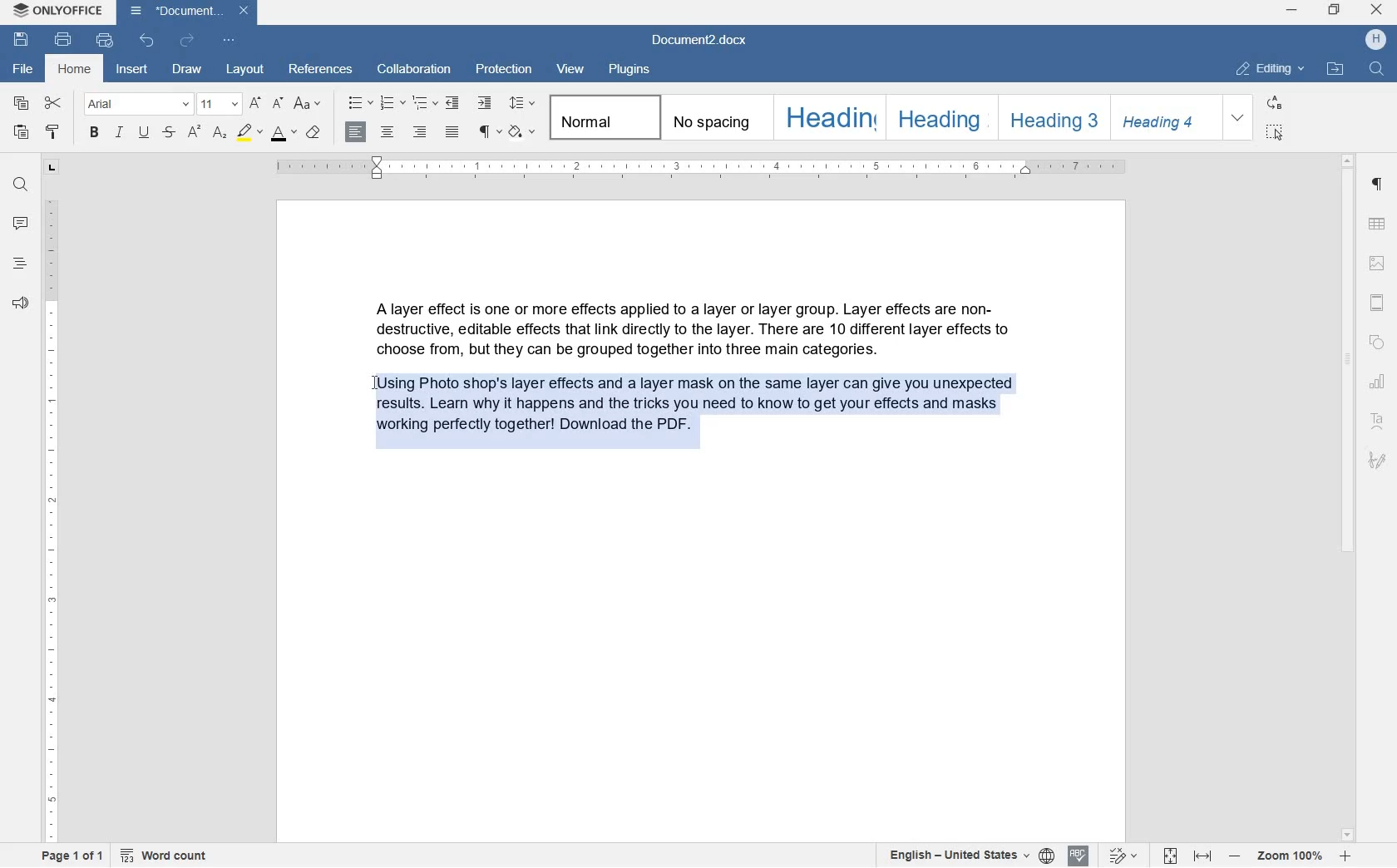 Image resolution: width=1397 pixels, height=868 pixels. What do you see at coordinates (523, 102) in the screenshot?
I see `PARAGRAPH LINE SPACING` at bounding box center [523, 102].